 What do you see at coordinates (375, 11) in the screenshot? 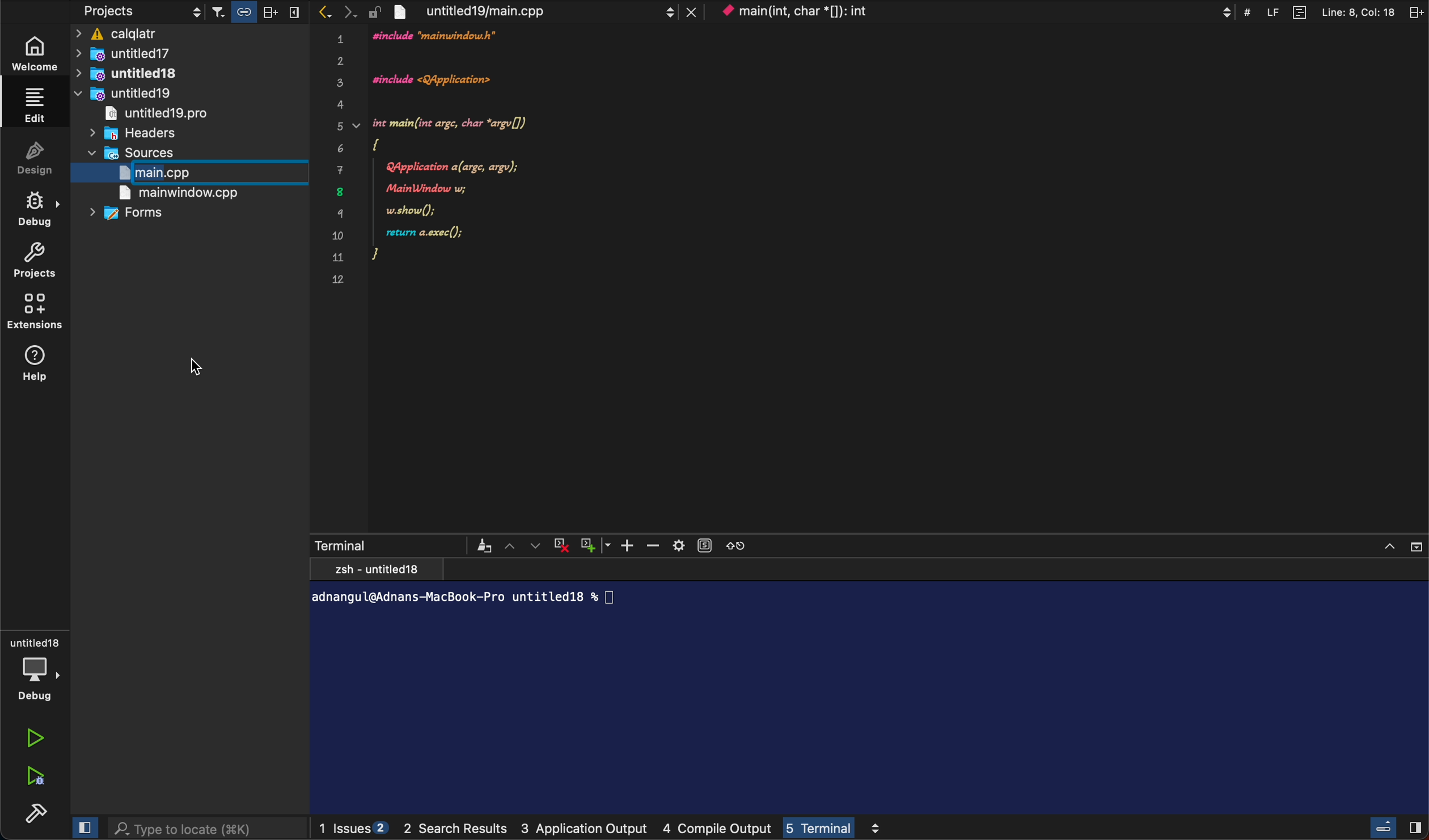
I see `lock` at bounding box center [375, 11].